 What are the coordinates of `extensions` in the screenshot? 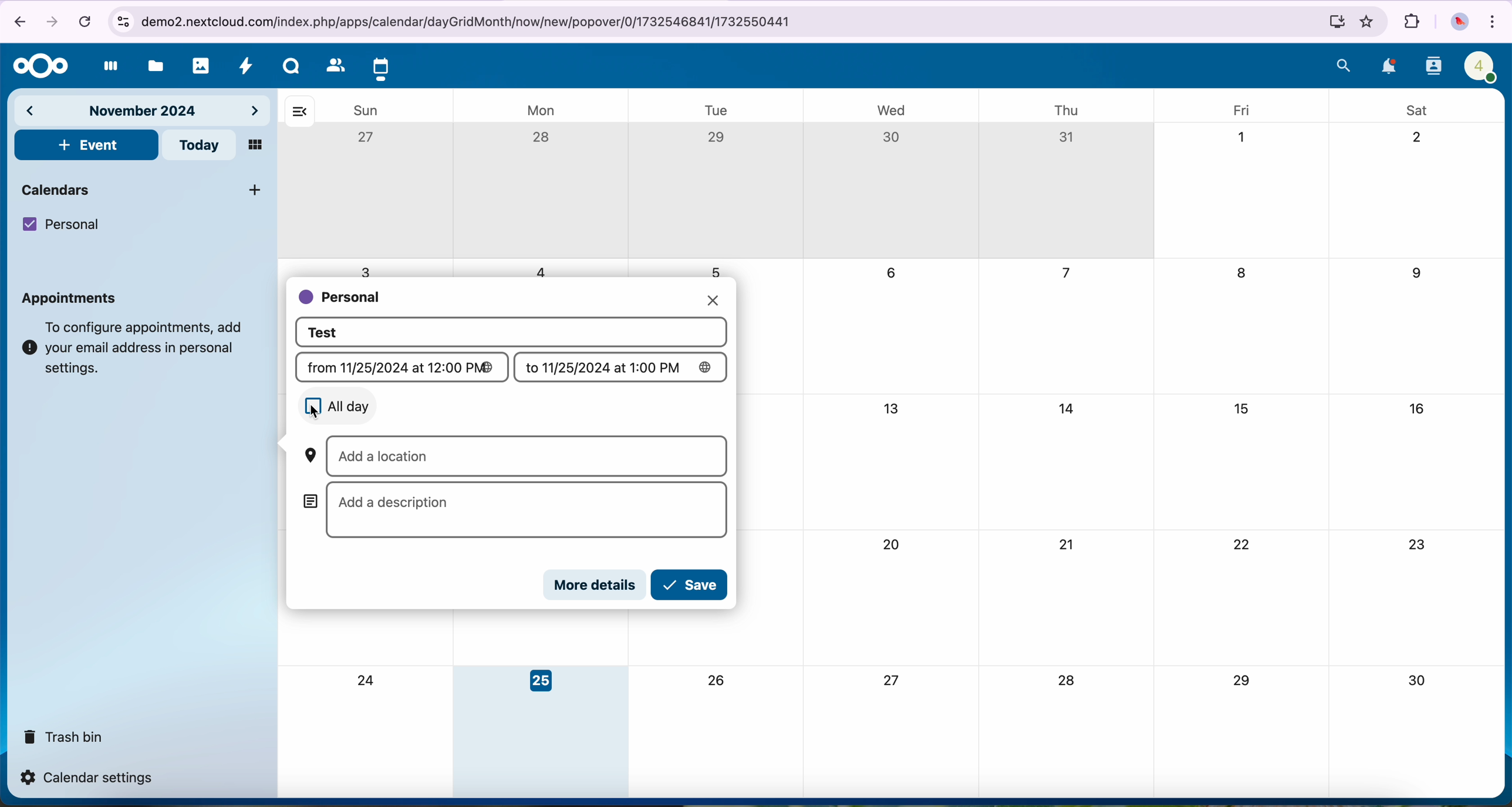 It's located at (1410, 22).